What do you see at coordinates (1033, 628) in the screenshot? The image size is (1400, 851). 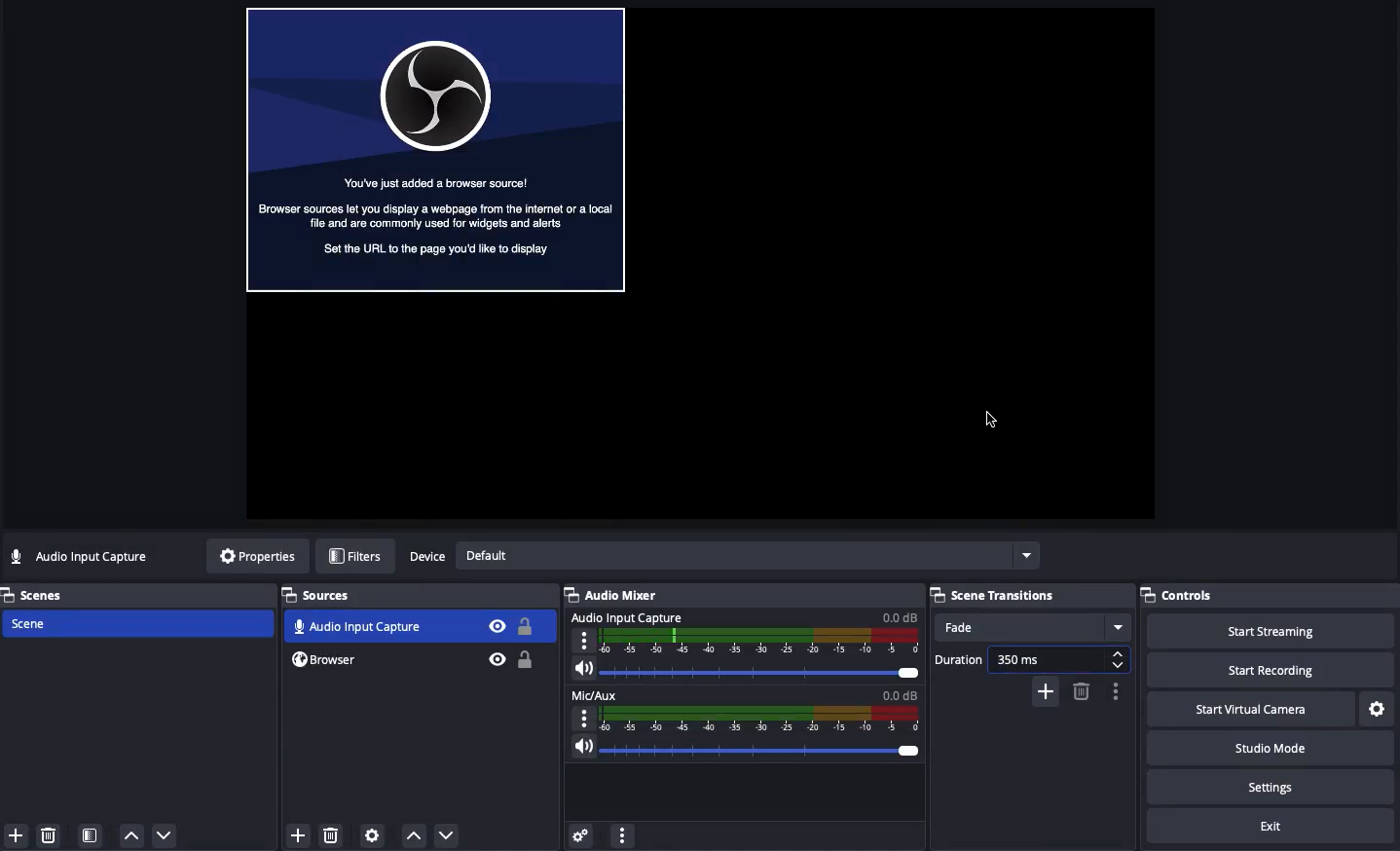 I see `Fade` at bounding box center [1033, 628].